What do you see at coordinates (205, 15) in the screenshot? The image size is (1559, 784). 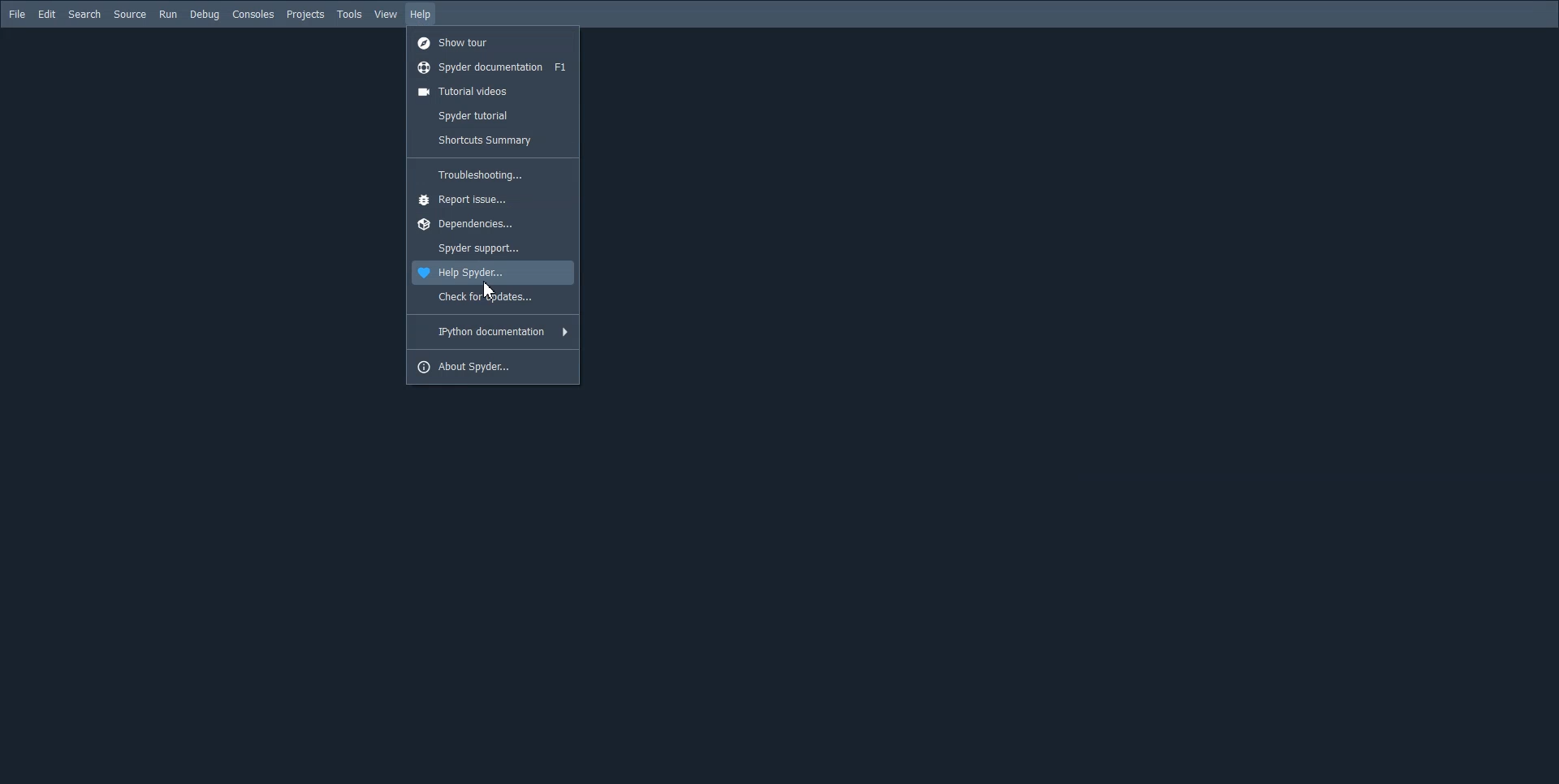 I see `Debug` at bounding box center [205, 15].